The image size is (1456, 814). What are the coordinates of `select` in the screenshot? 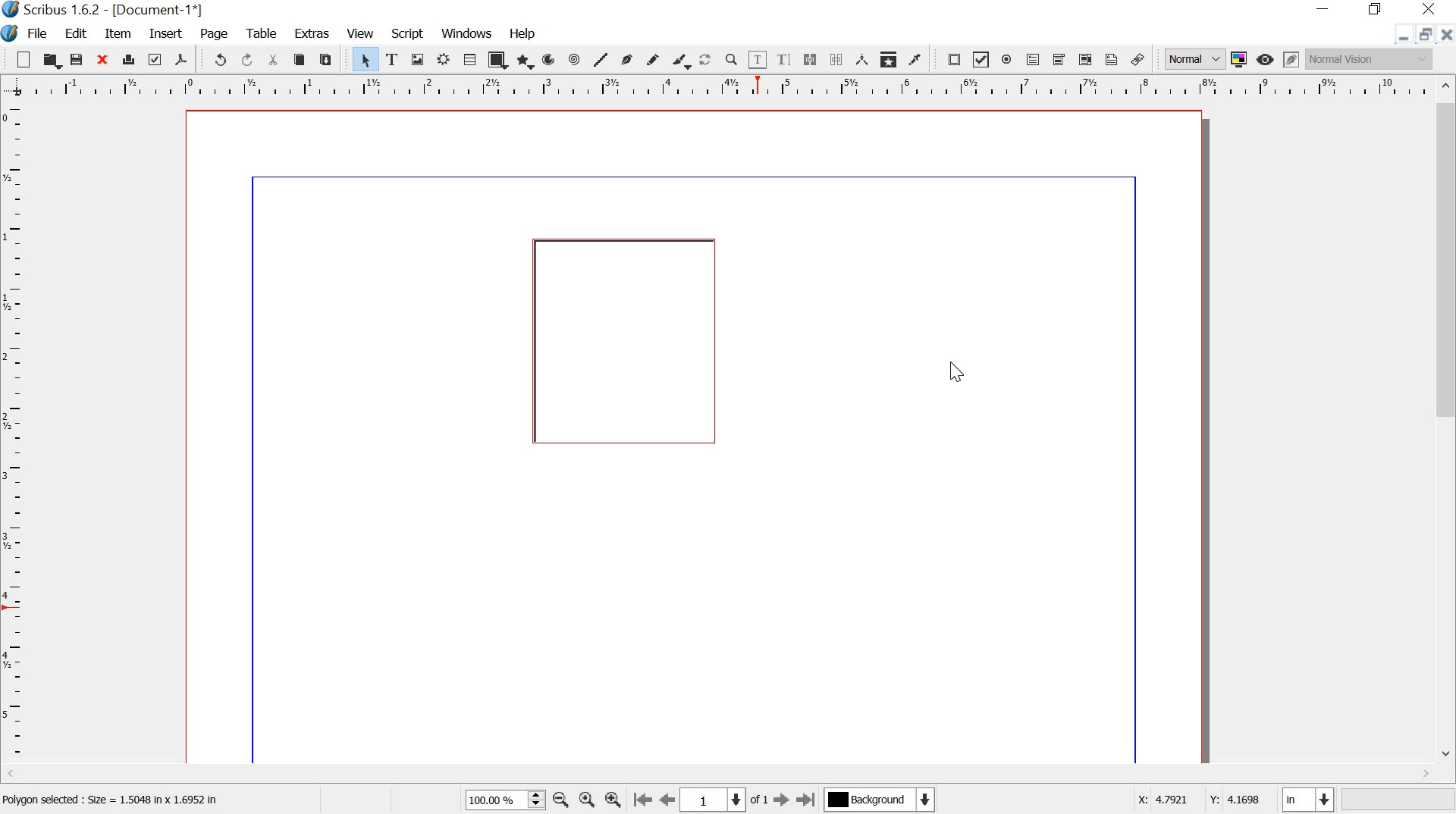 It's located at (359, 59).